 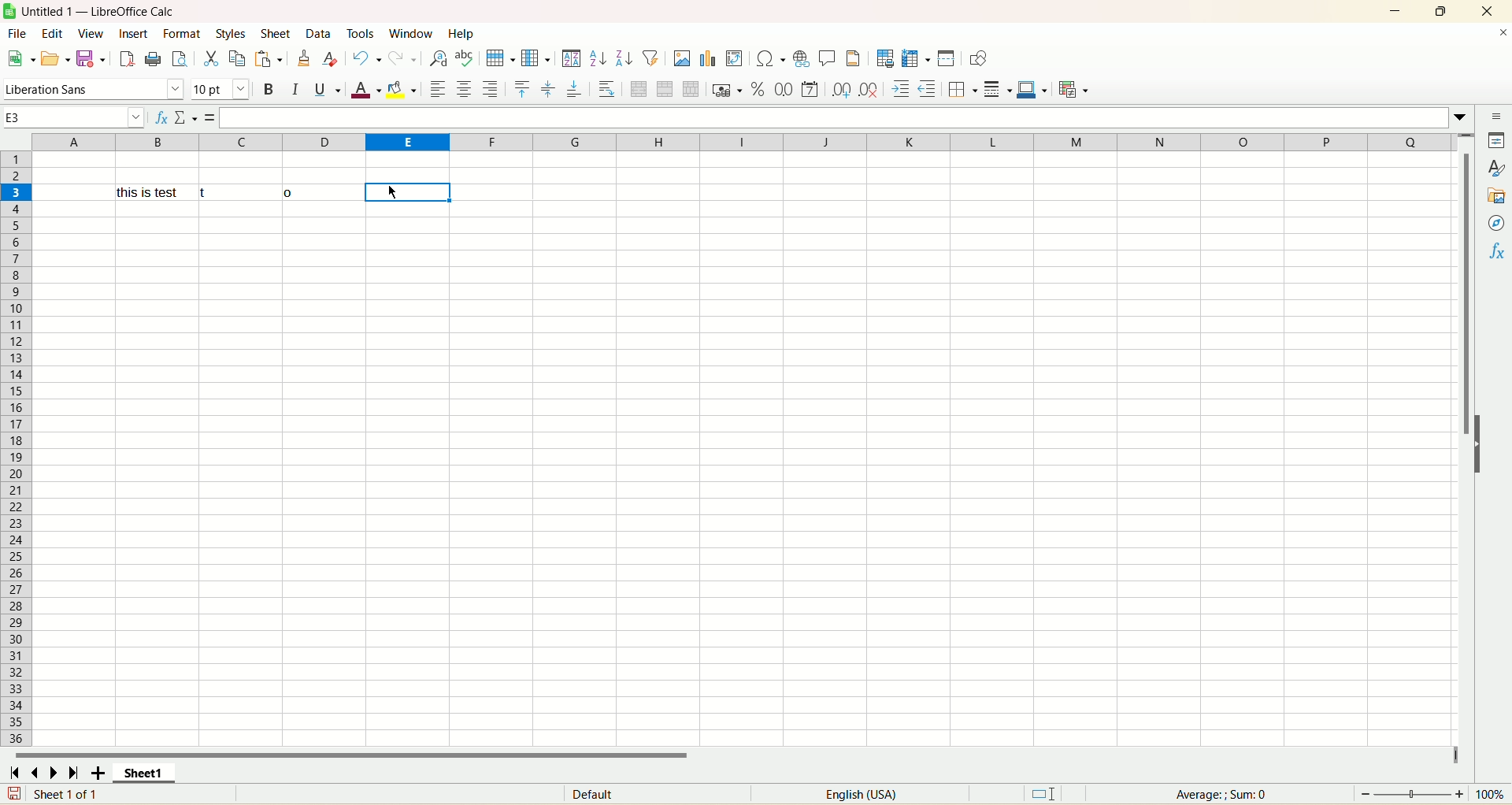 What do you see at coordinates (54, 769) in the screenshot?
I see `scroll to next sheet` at bounding box center [54, 769].